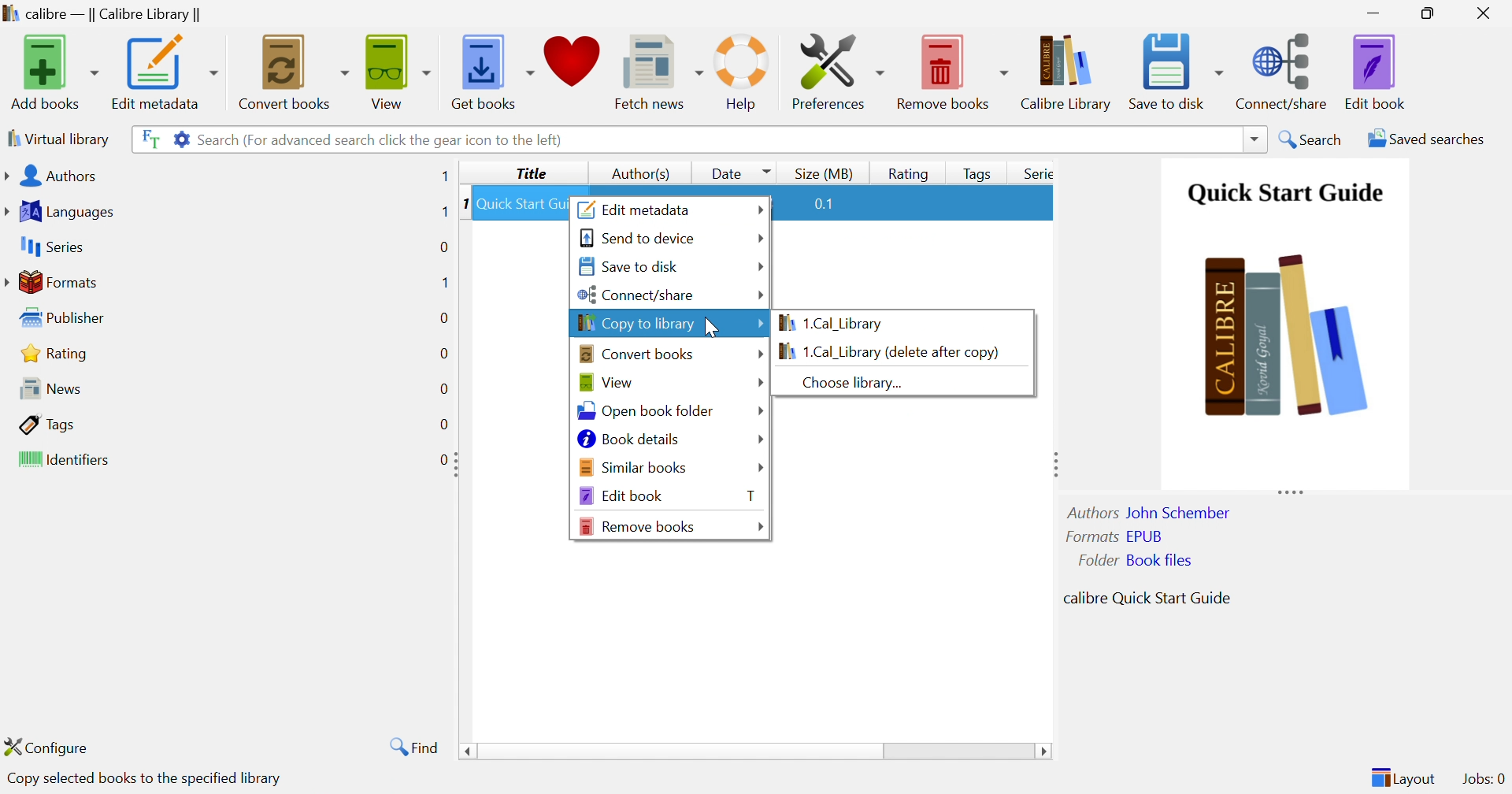 The image size is (1512, 794). I want to click on 0.1, so click(831, 204).